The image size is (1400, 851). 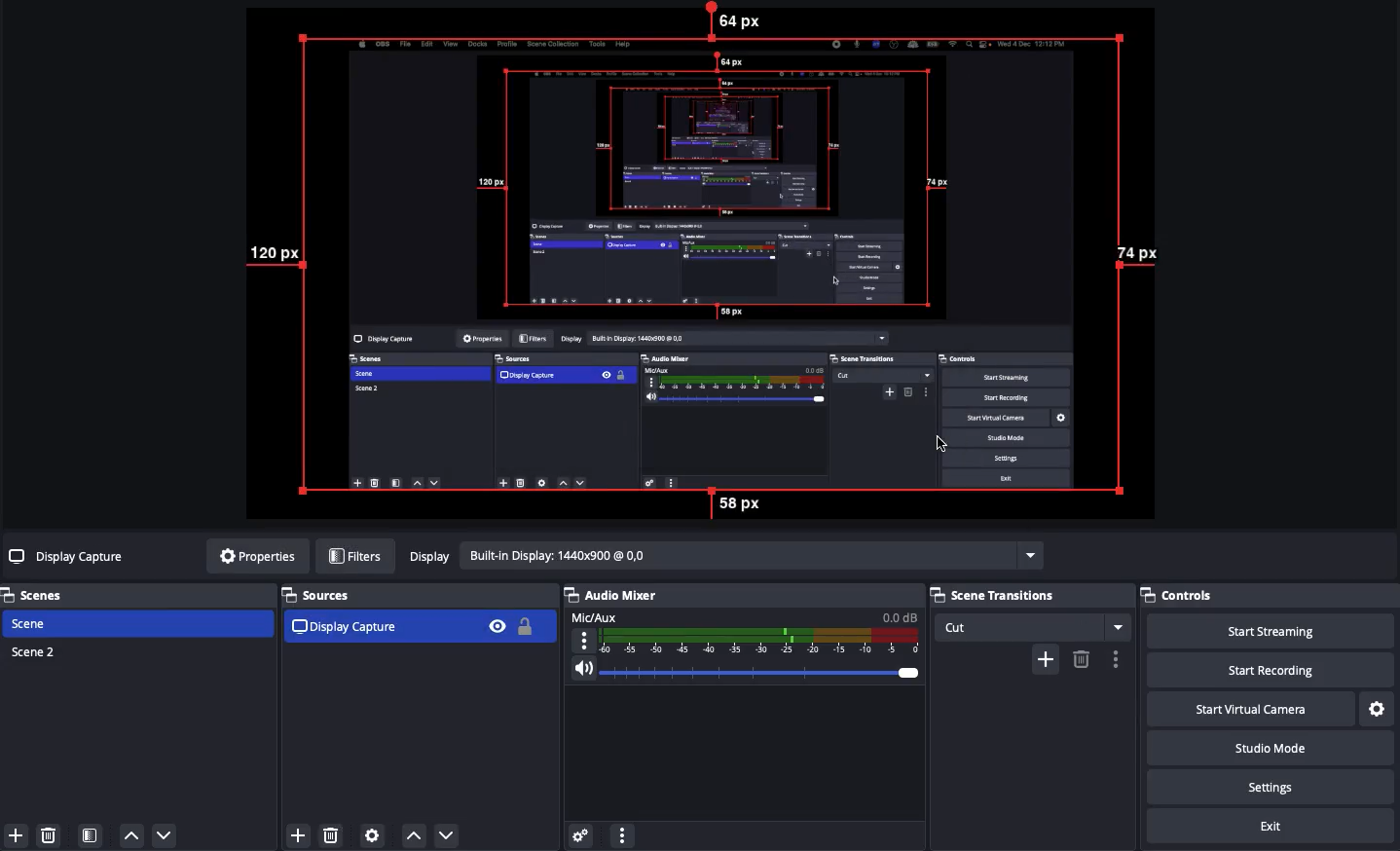 I want to click on Settings, so click(x=1379, y=707).